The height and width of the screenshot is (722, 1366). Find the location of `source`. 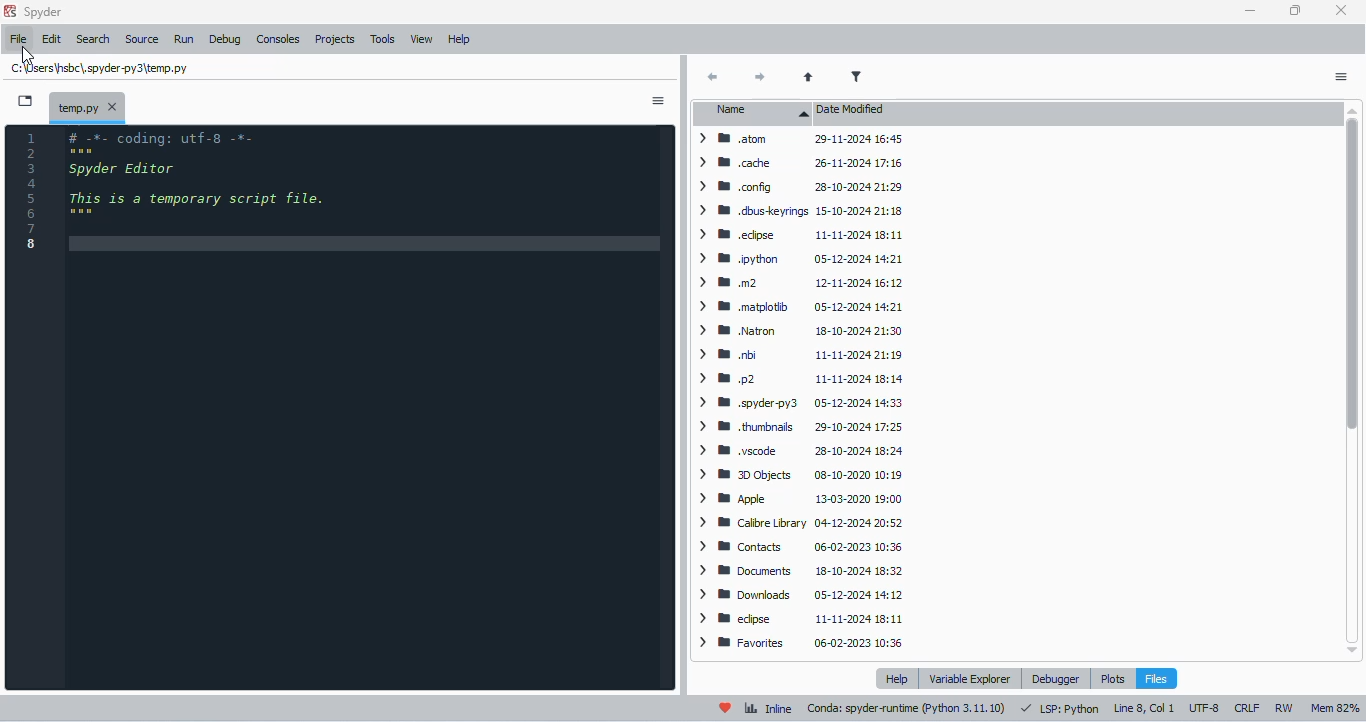

source is located at coordinates (142, 40).